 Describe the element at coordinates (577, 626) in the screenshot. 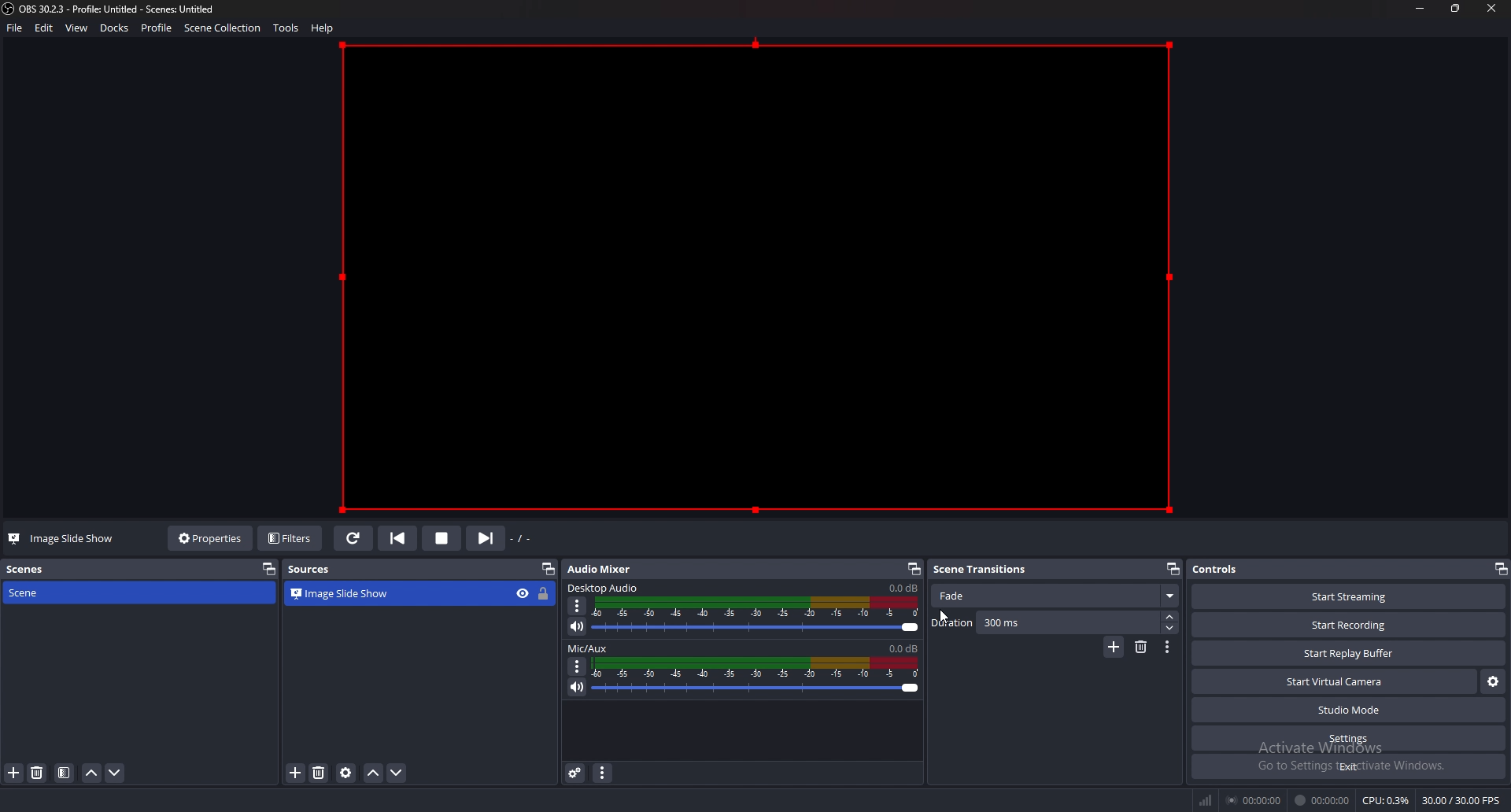

I see `mute` at that location.